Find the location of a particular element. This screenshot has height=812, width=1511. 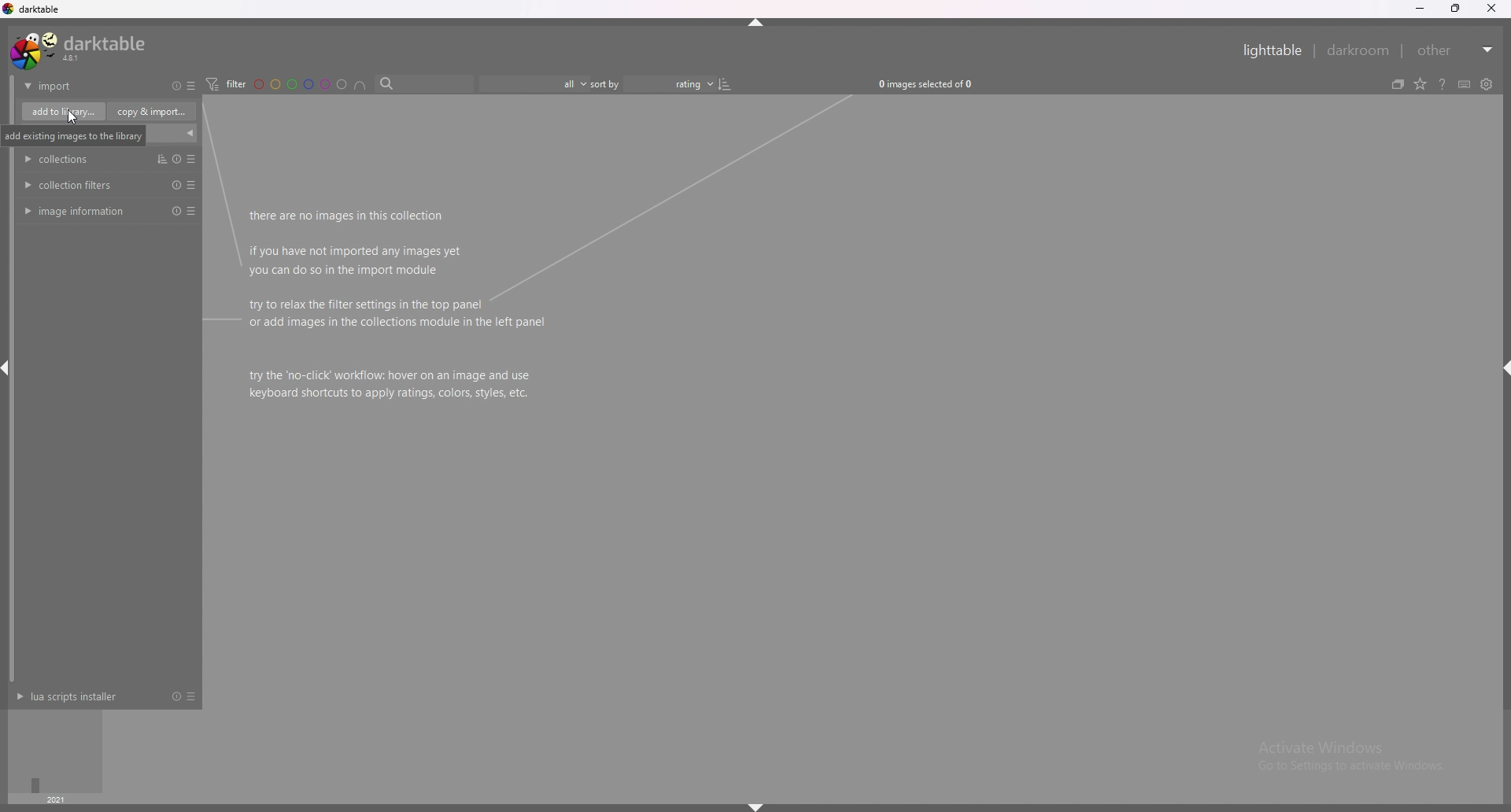

presets is located at coordinates (190, 696).